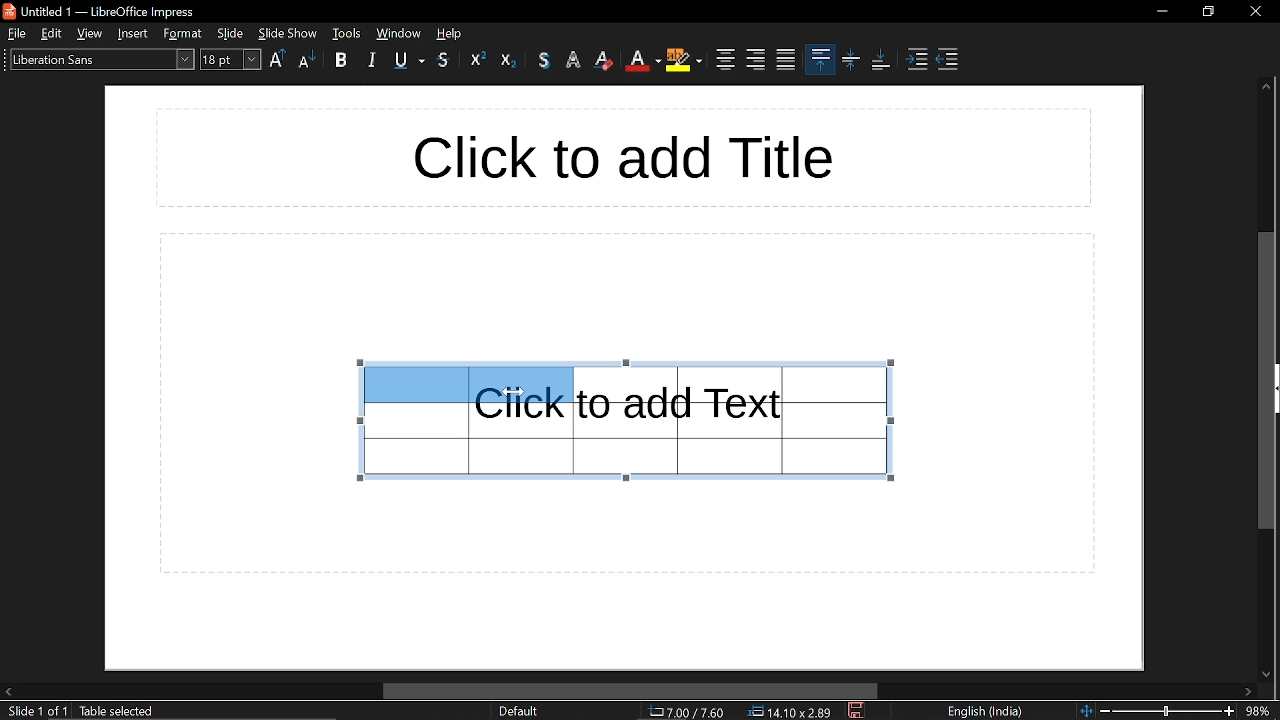 This screenshot has height=720, width=1280. Describe the element at coordinates (410, 62) in the screenshot. I see `underline` at that location.